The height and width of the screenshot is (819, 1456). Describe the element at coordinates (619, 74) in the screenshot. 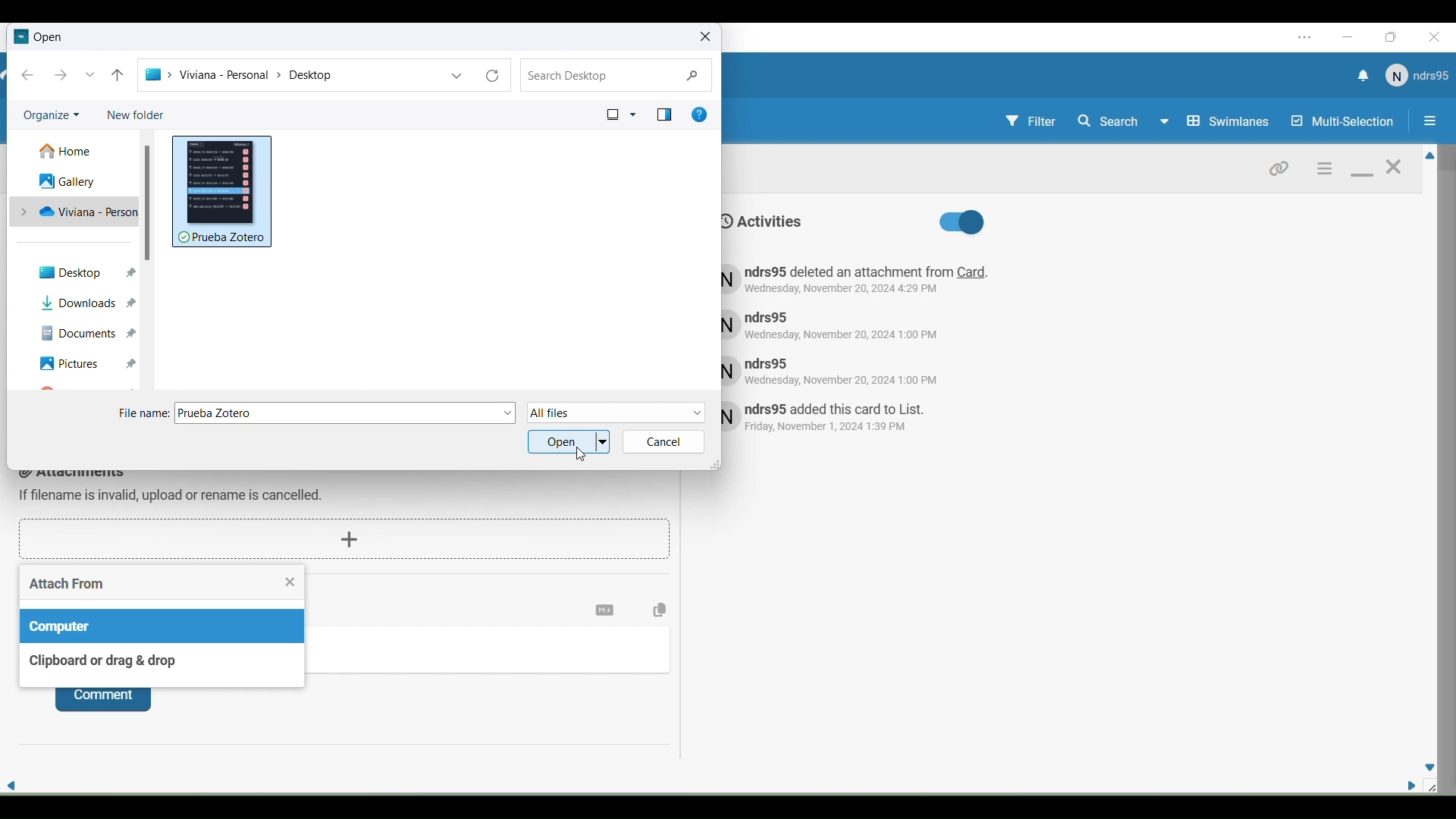

I see `Search Desktop` at that location.